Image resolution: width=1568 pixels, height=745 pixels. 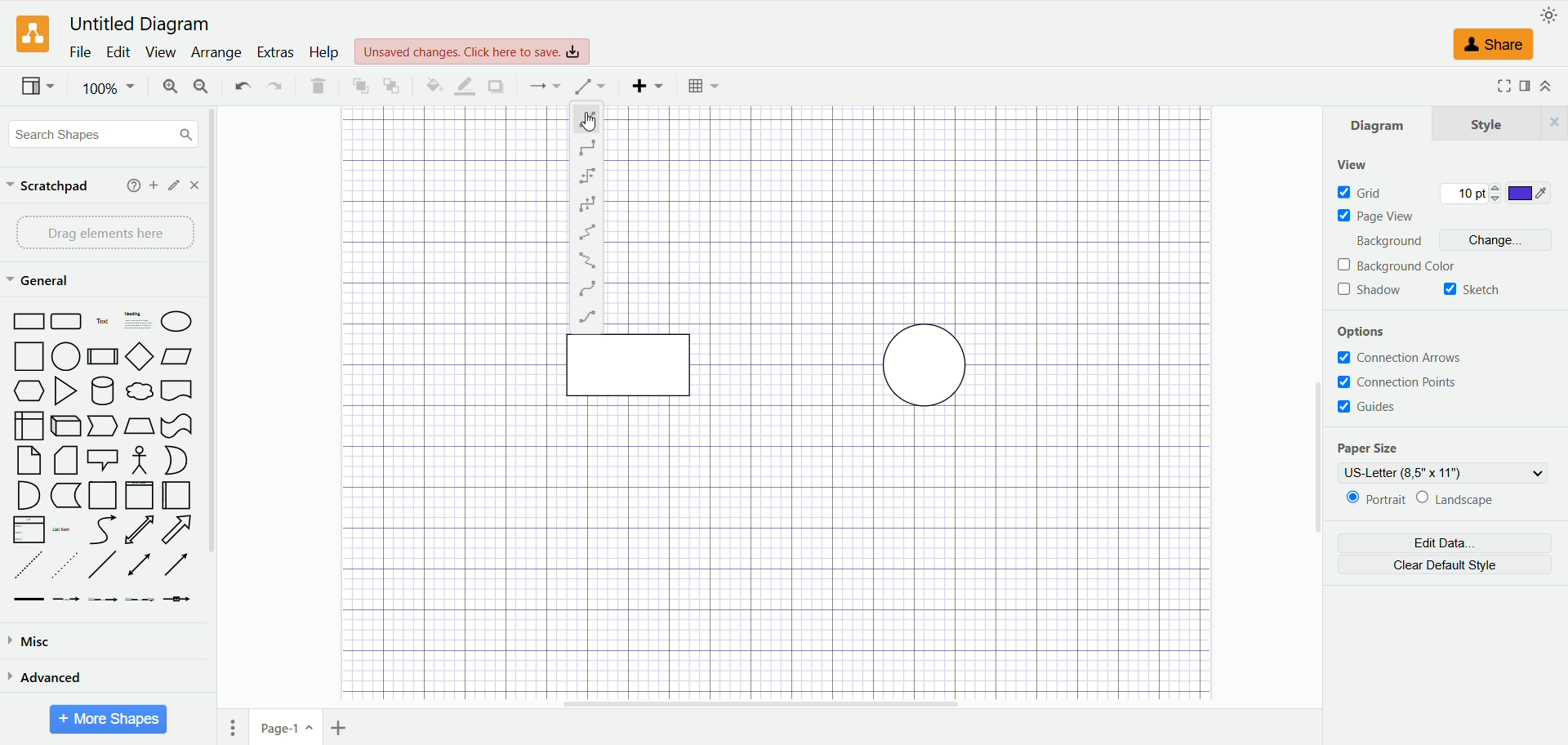 What do you see at coordinates (359, 84) in the screenshot?
I see `to front` at bounding box center [359, 84].